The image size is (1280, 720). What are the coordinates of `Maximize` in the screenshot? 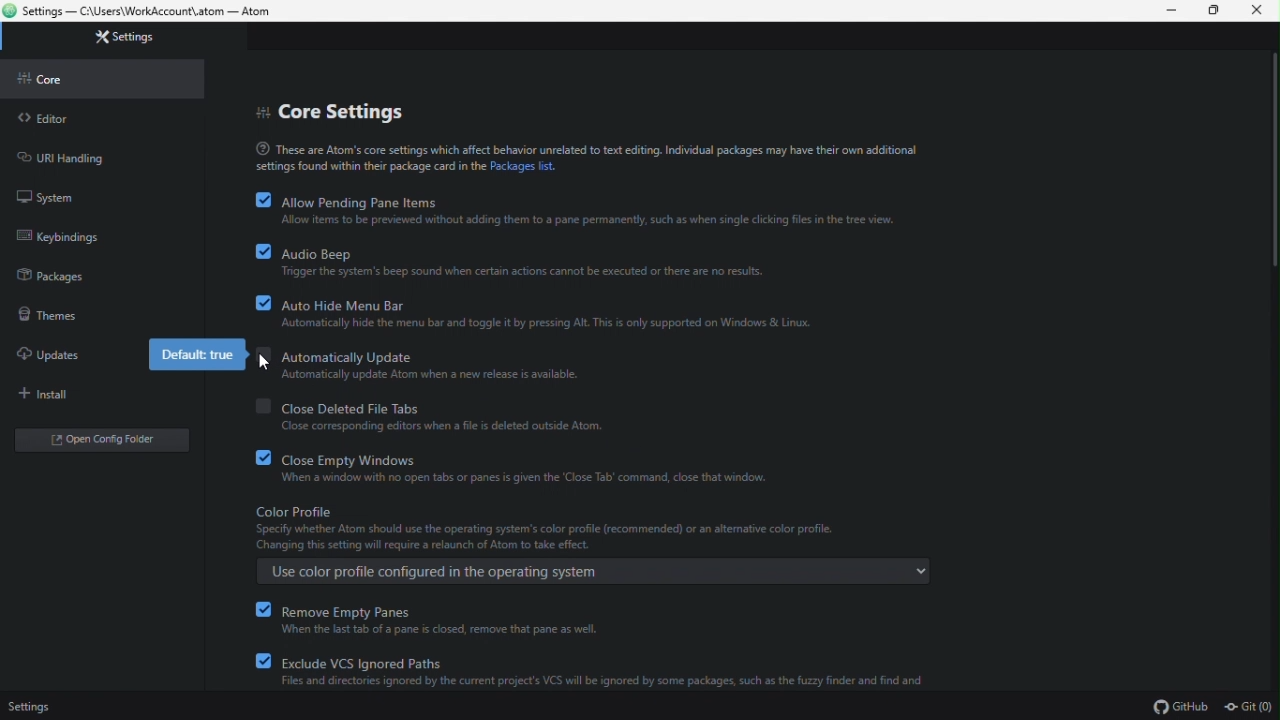 It's located at (1213, 12).